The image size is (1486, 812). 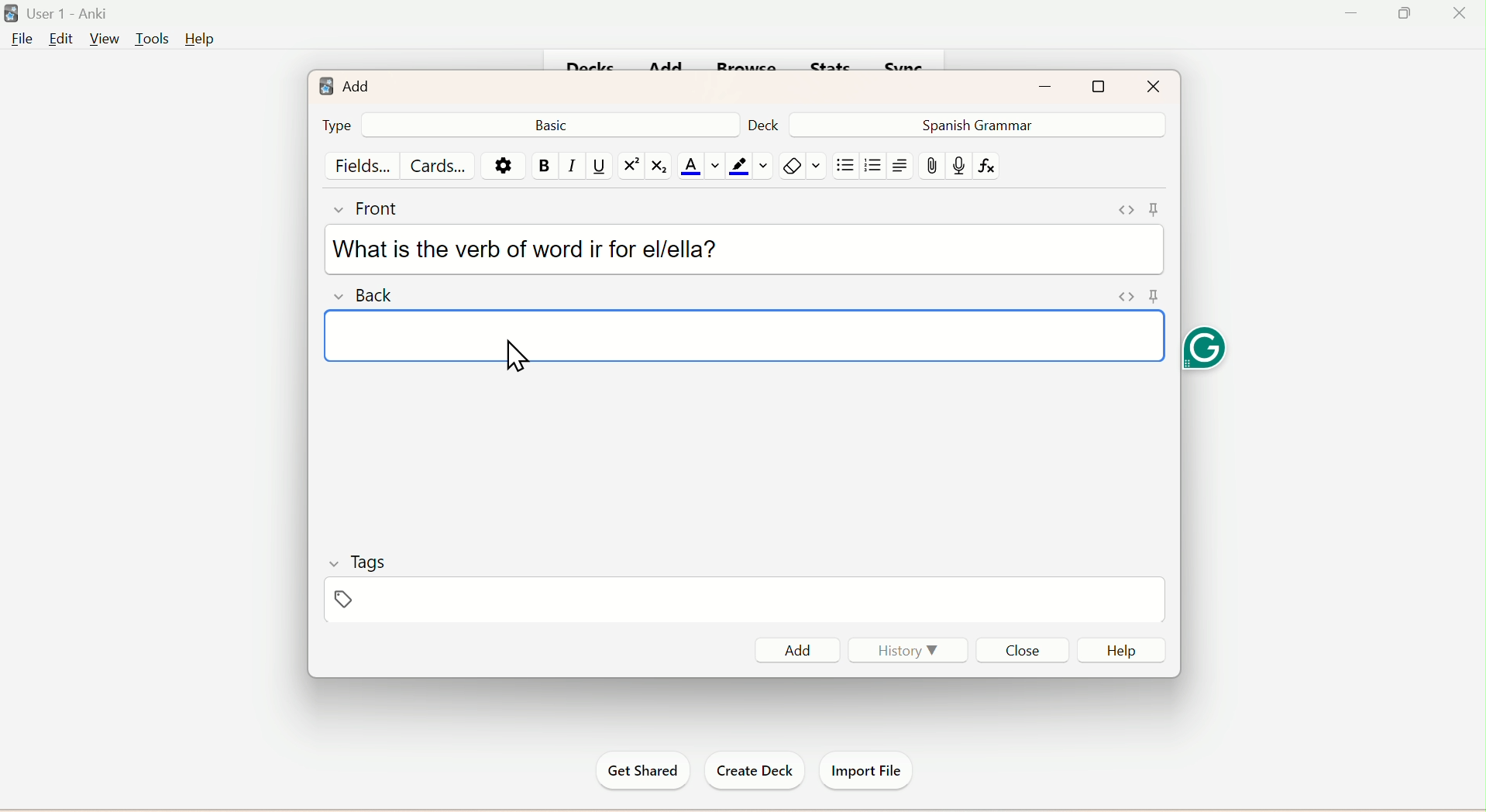 I want to click on Cards..., so click(x=441, y=165).